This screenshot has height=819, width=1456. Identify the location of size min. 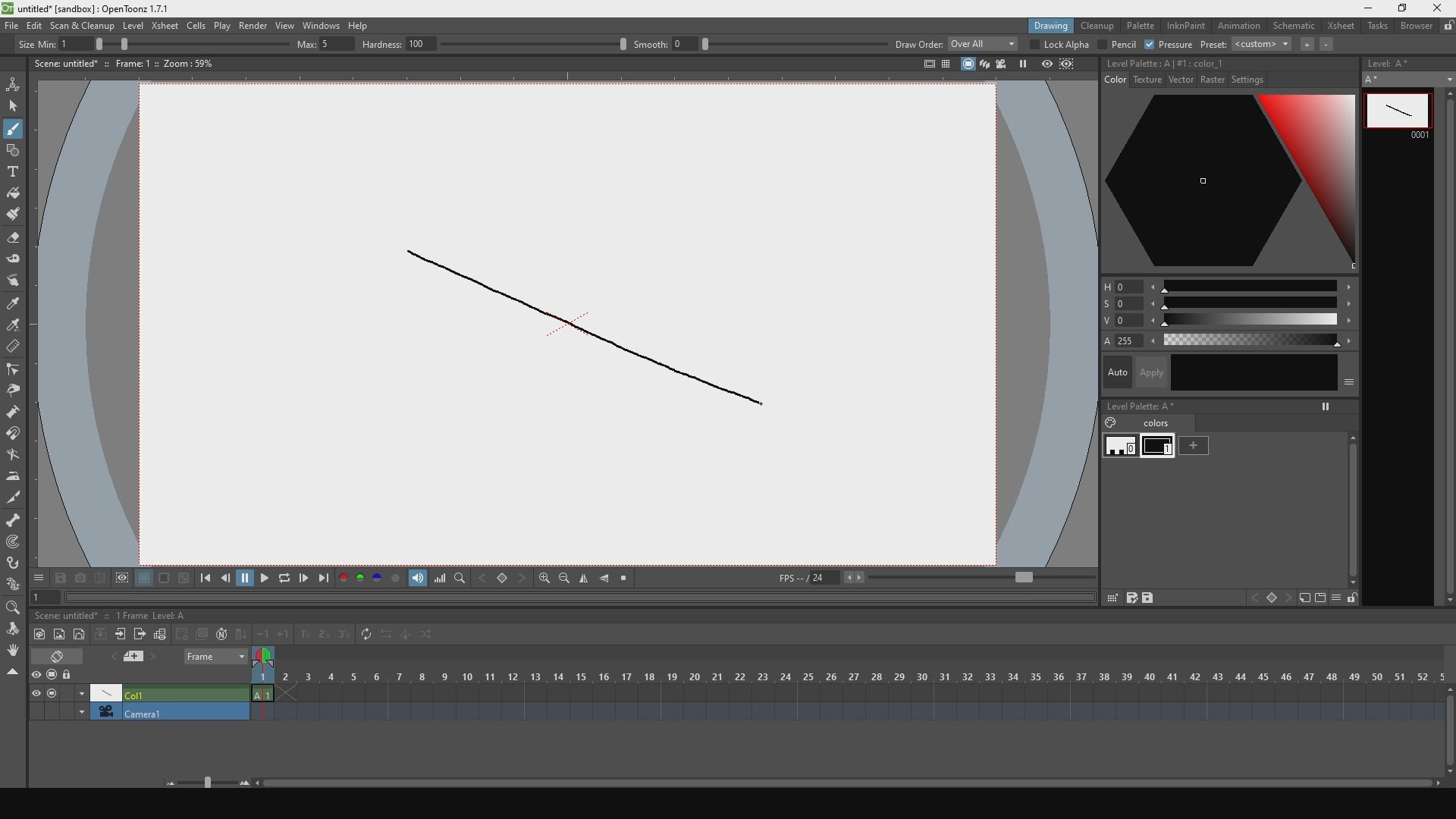
(58, 43).